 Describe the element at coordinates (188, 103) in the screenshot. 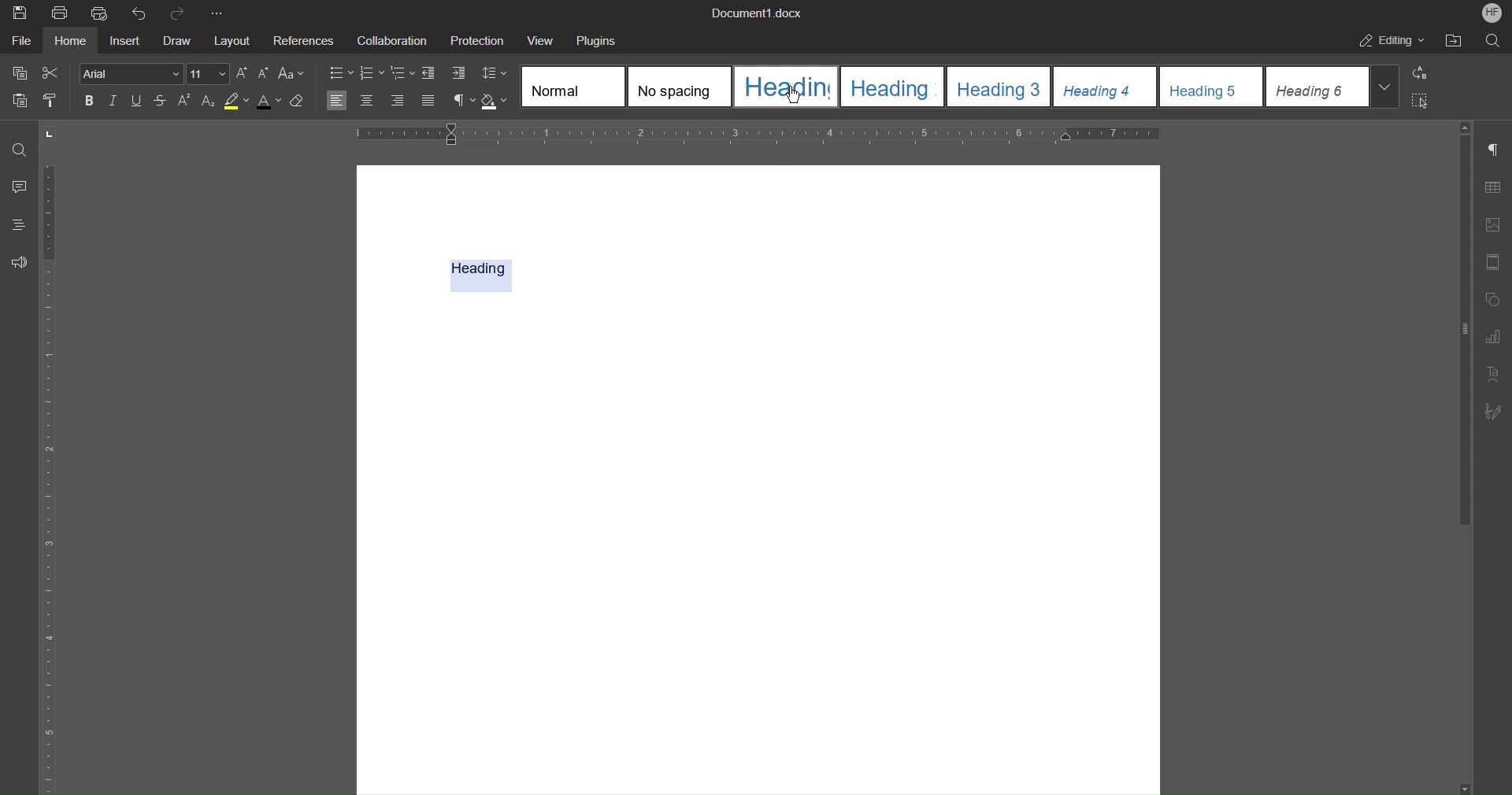

I see `Superscript` at that location.